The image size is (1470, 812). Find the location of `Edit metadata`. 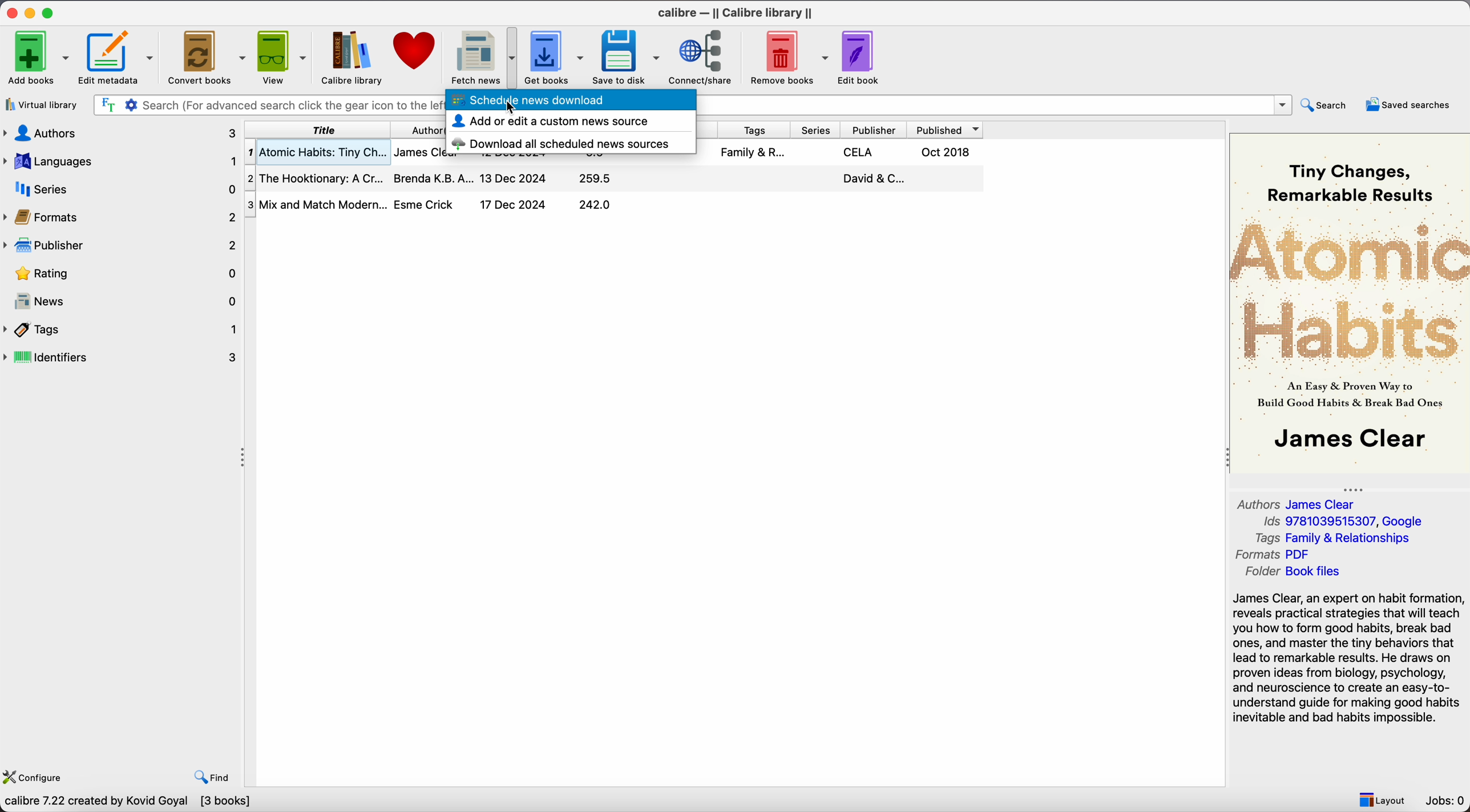

Edit metadata is located at coordinates (118, 57).